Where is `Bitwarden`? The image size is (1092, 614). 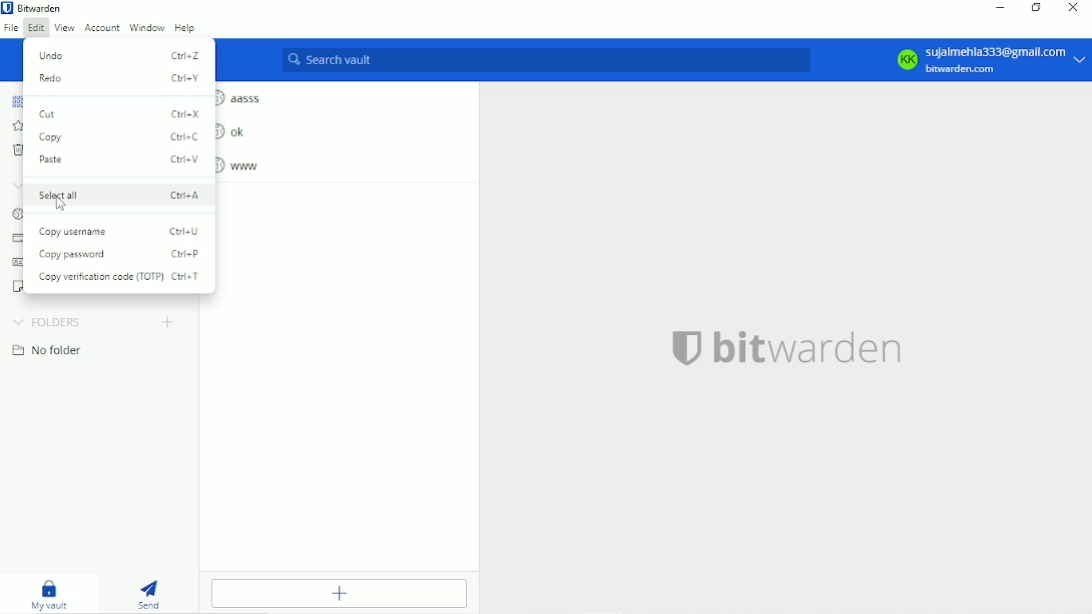 Bitwarden is located at coordinates (42, 8).